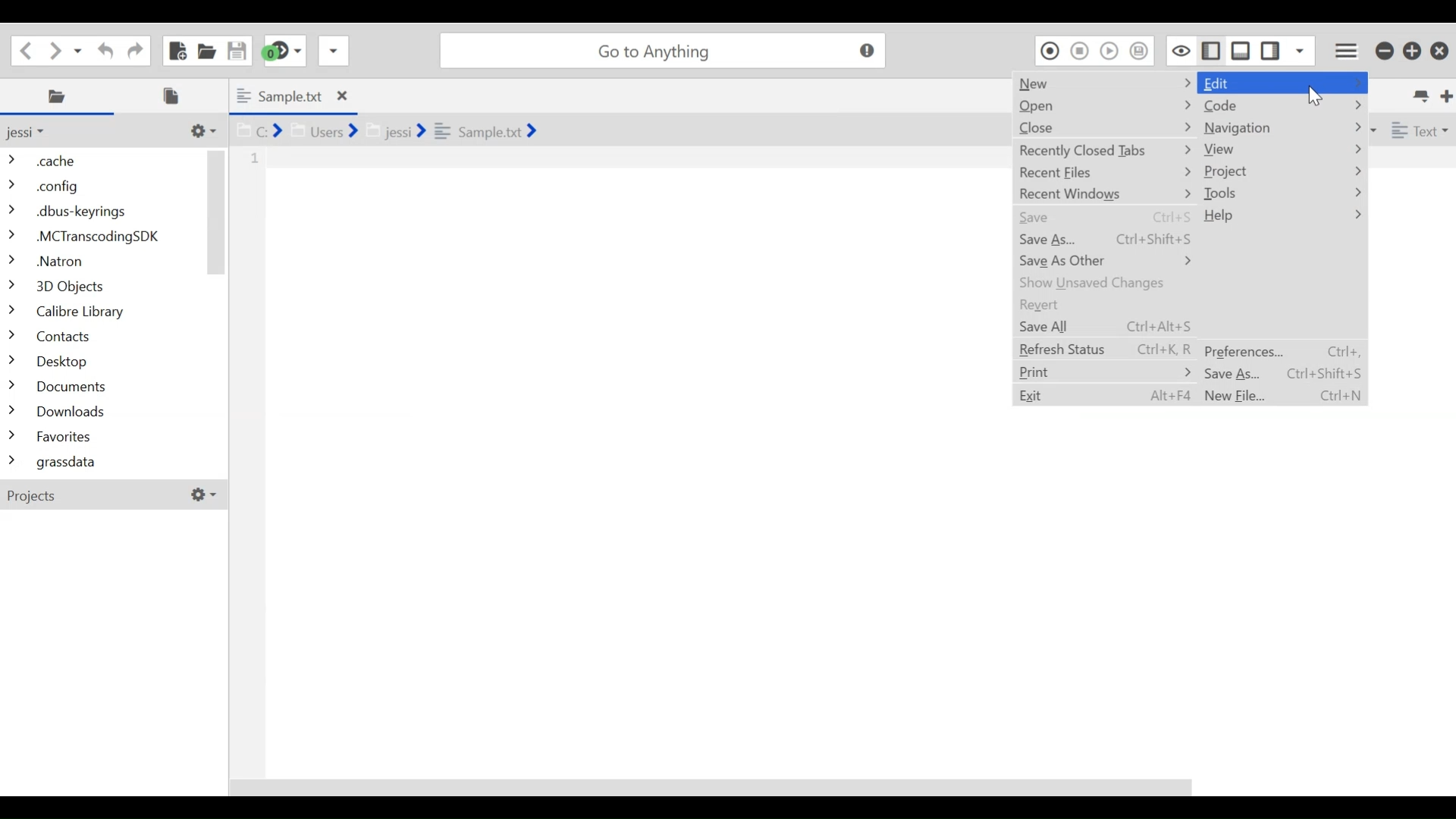 This screenshot has width=1456, height=819. What do you see at coordinates (1417, 129) in the screenshot?
I see `File Type dropdown menu` at bounding box center [1417, 129].